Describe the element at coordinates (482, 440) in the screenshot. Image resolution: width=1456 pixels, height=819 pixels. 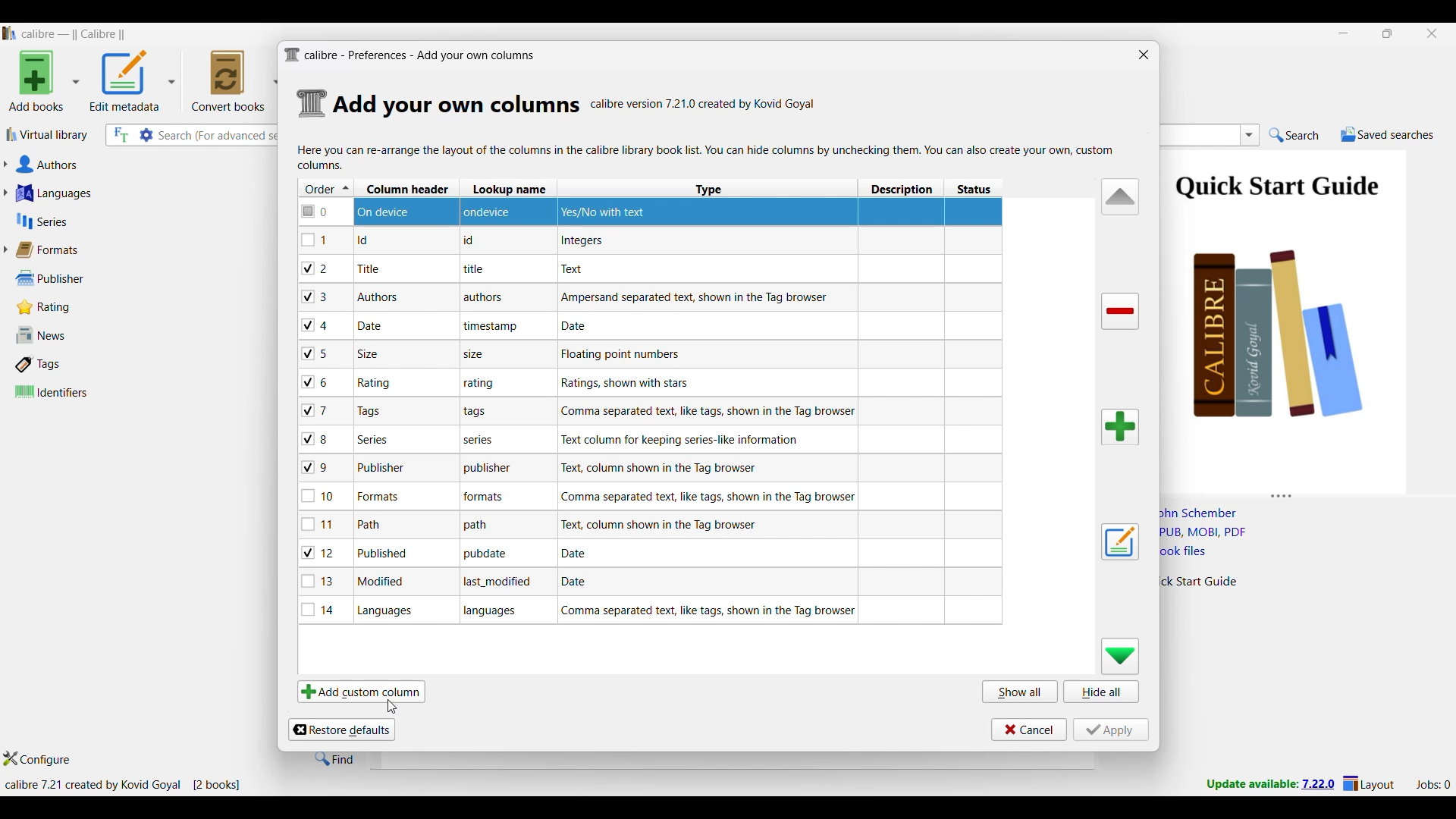
I see `note` at that location.